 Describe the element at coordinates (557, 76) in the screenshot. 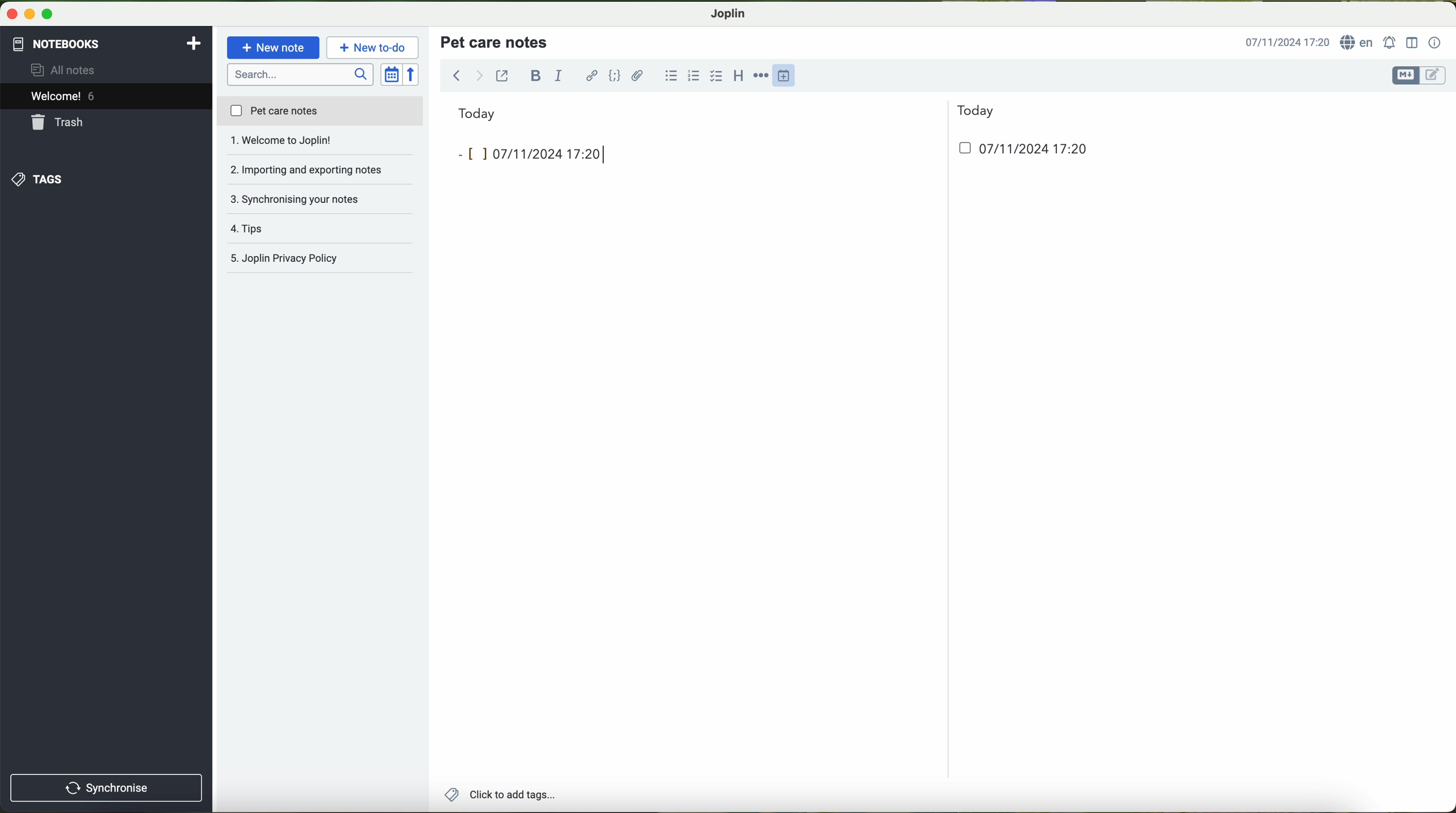

I see `italic` at that location.